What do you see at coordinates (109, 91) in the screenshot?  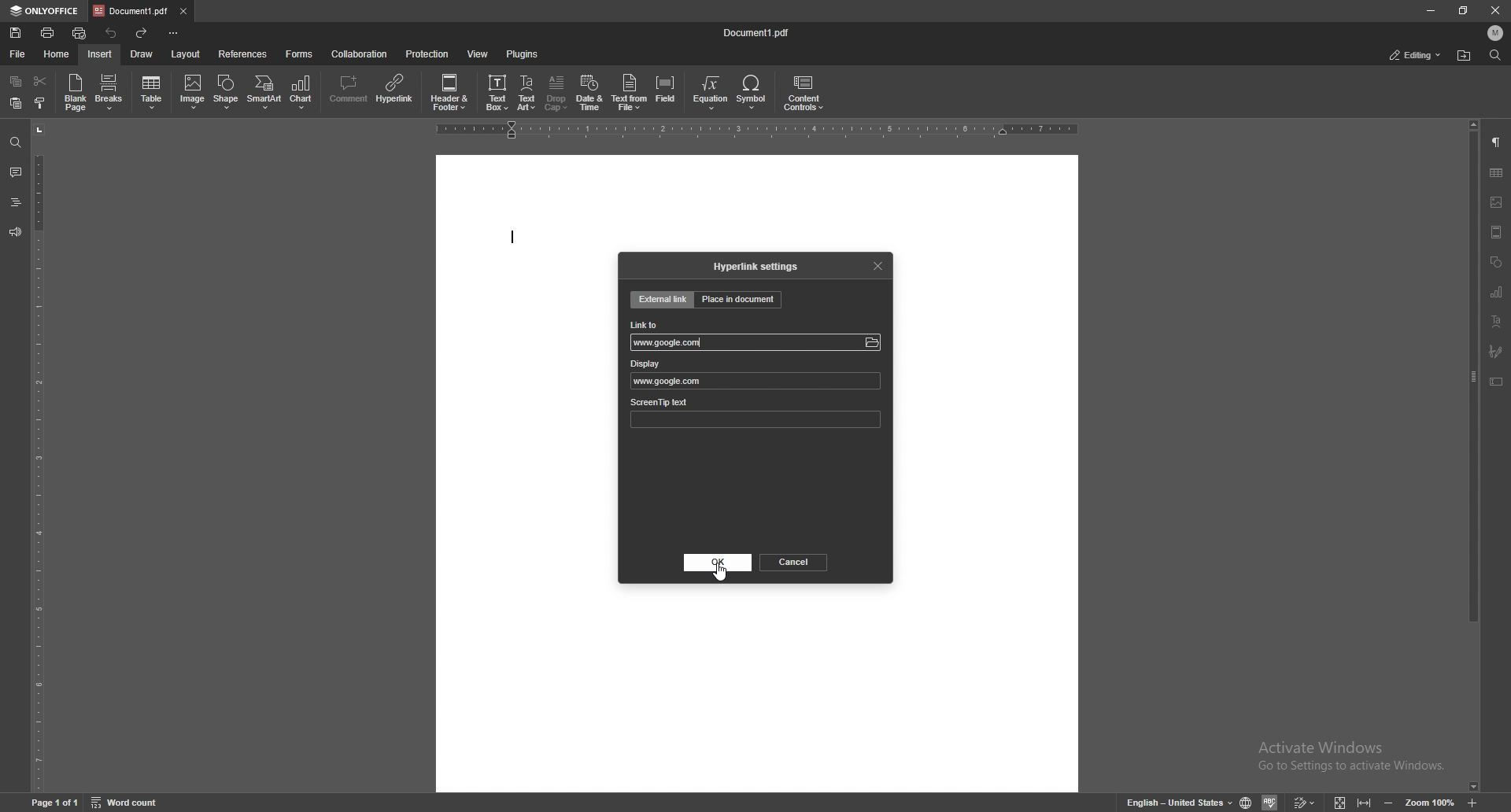 I see `breaks` at bounding box center [109, 91].